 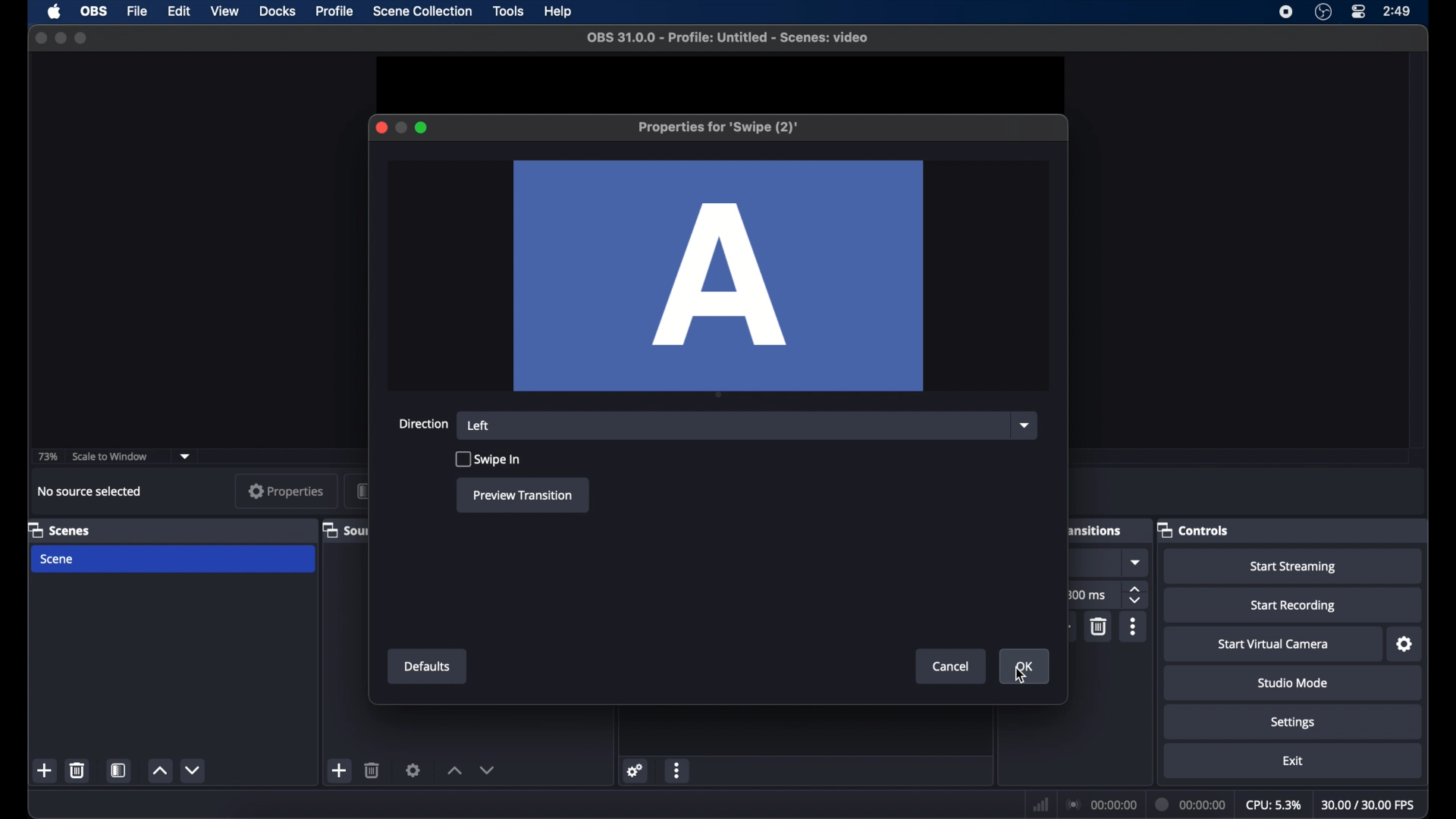 What do you see at coordinates (60, 38) in the screenshot?
I see `minimize` at bounding box center [60, 38].